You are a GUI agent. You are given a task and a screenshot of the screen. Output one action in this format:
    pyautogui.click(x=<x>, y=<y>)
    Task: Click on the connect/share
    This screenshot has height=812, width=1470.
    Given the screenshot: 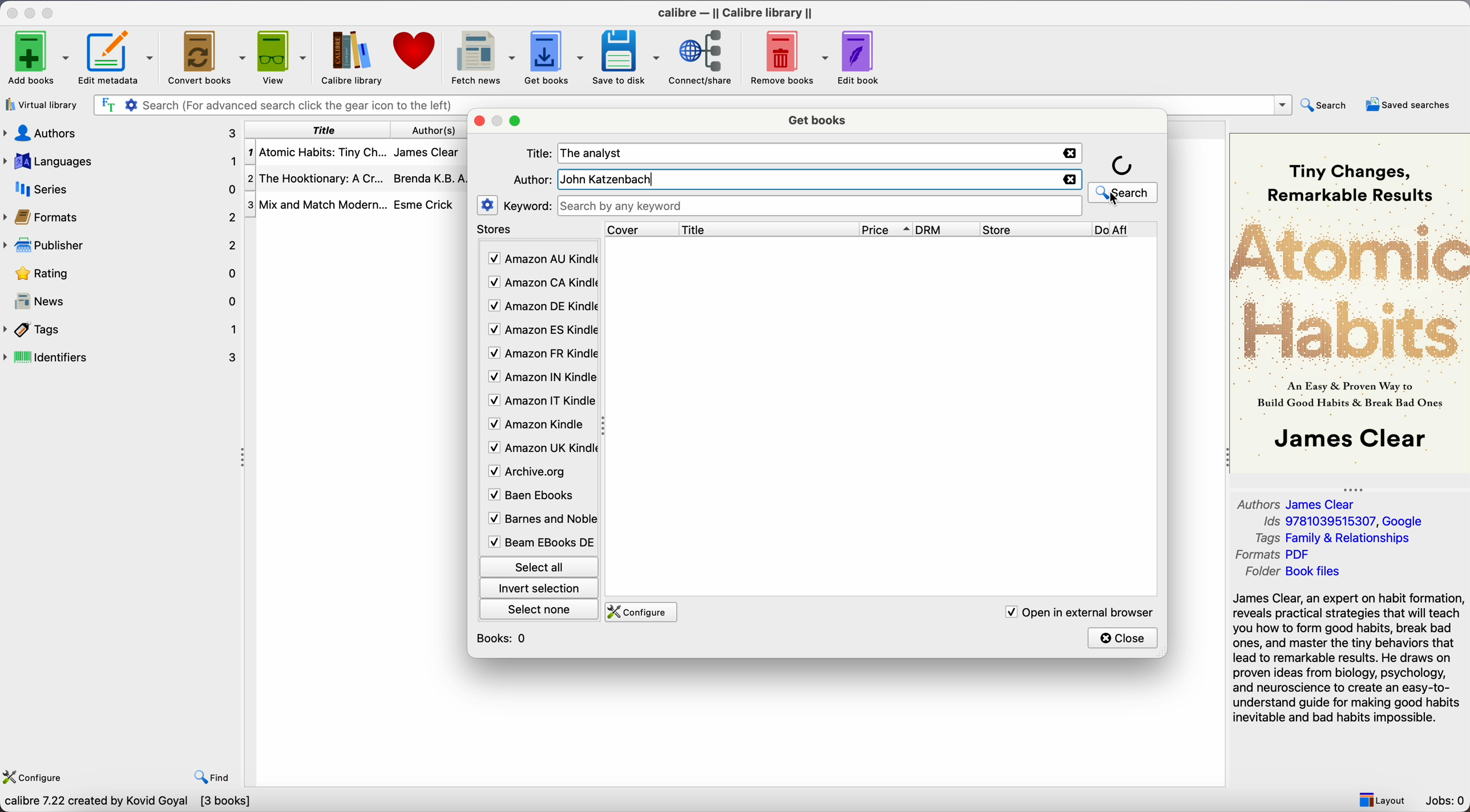 What is the action you would take?
    pyautogui.click(x=702, y=58)
    